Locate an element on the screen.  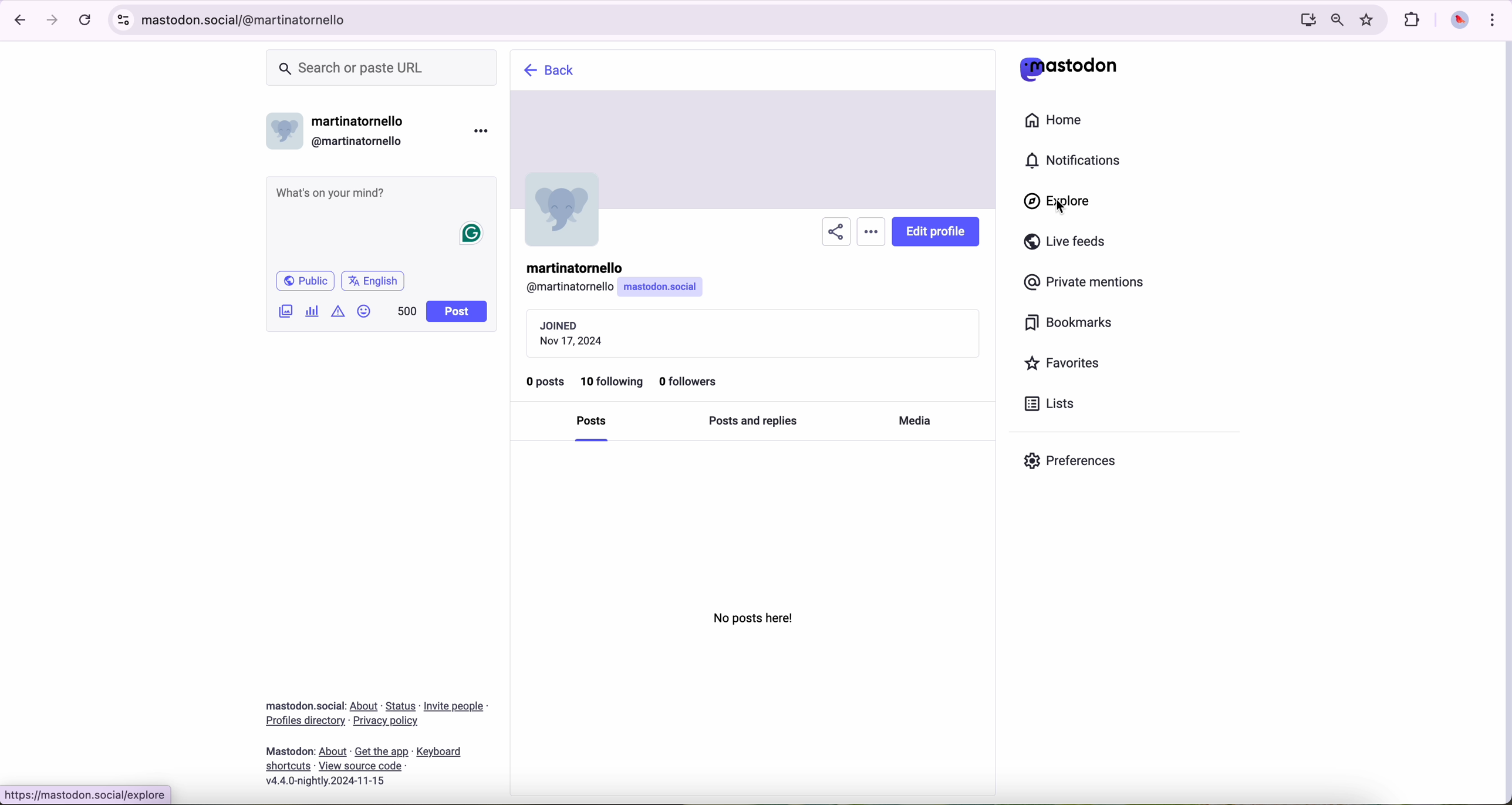
cursor is located at coordinates (1062, 211).